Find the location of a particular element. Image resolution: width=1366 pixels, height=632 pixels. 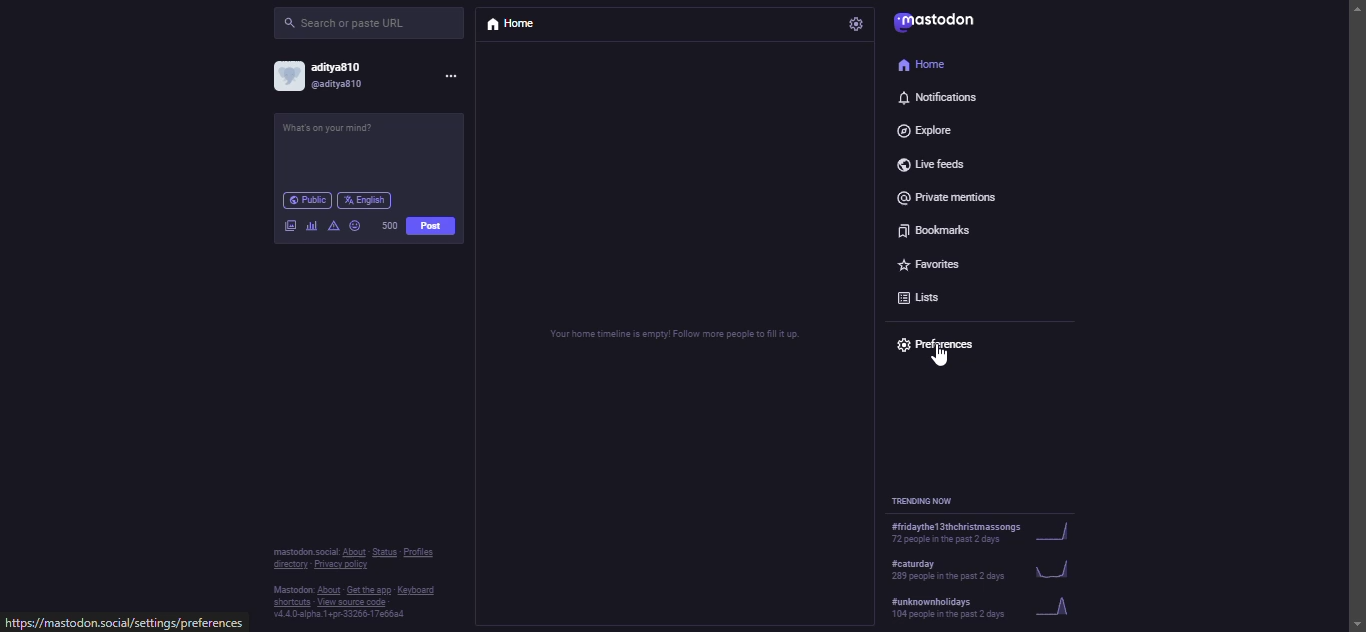

trending is located at coordinates (927, 499).